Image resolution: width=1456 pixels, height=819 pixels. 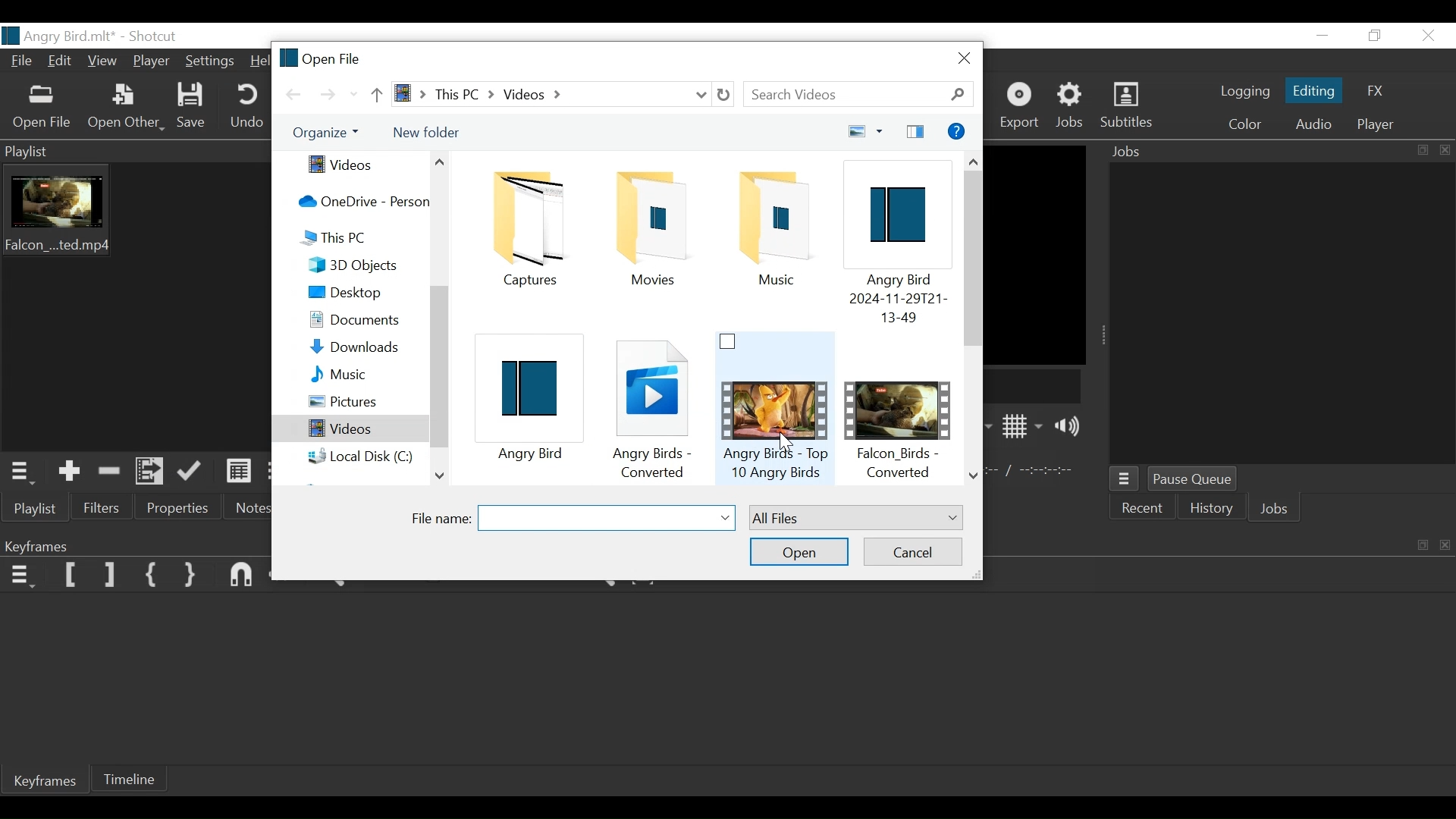 I want to click on Cursor, so click(x=789, y=444).